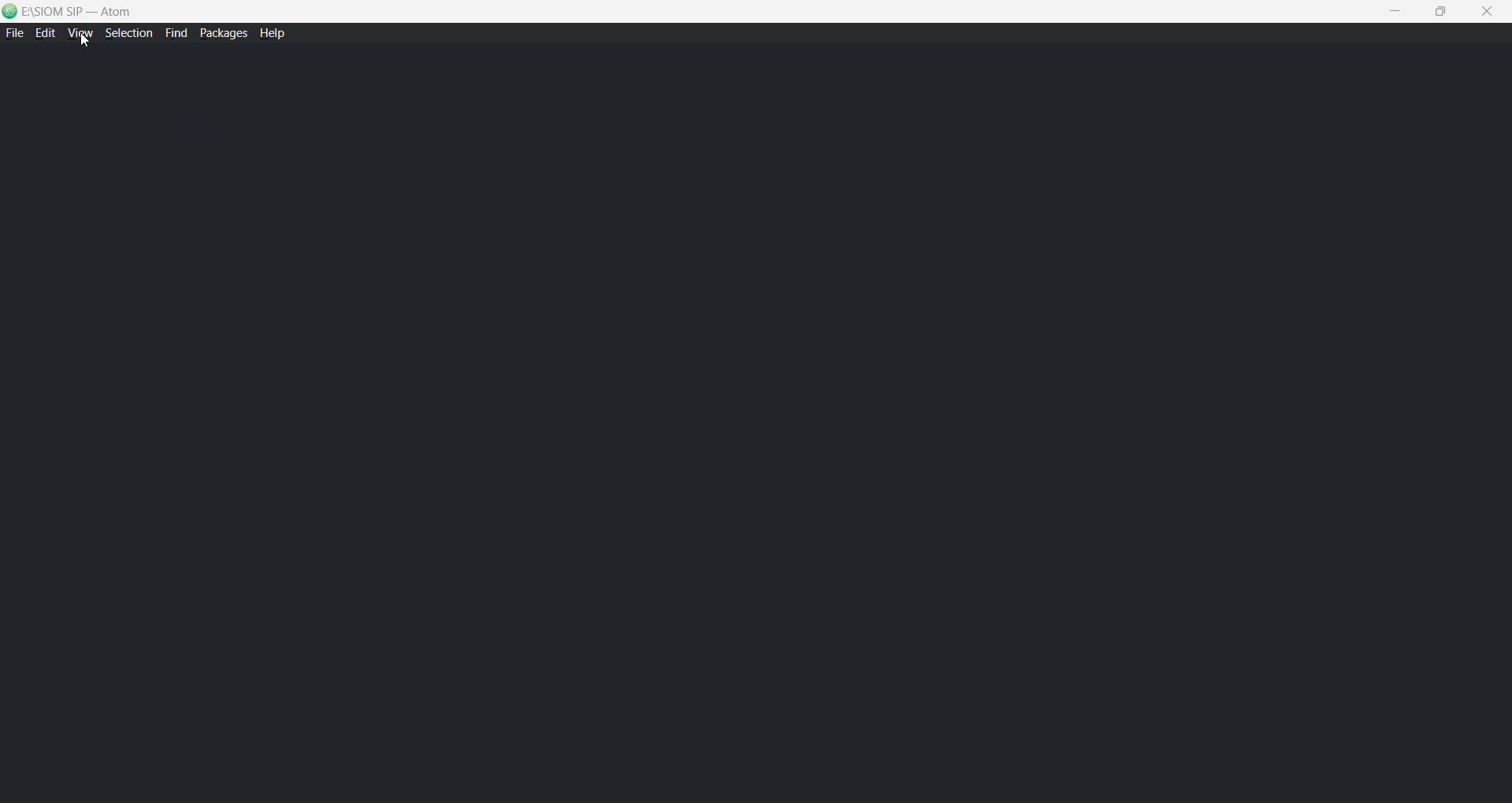 The image size is (1512, 803). What do you see at coordinates (11, 12) in the screenshot?
I see `logo` at bounding box center [11, 12].